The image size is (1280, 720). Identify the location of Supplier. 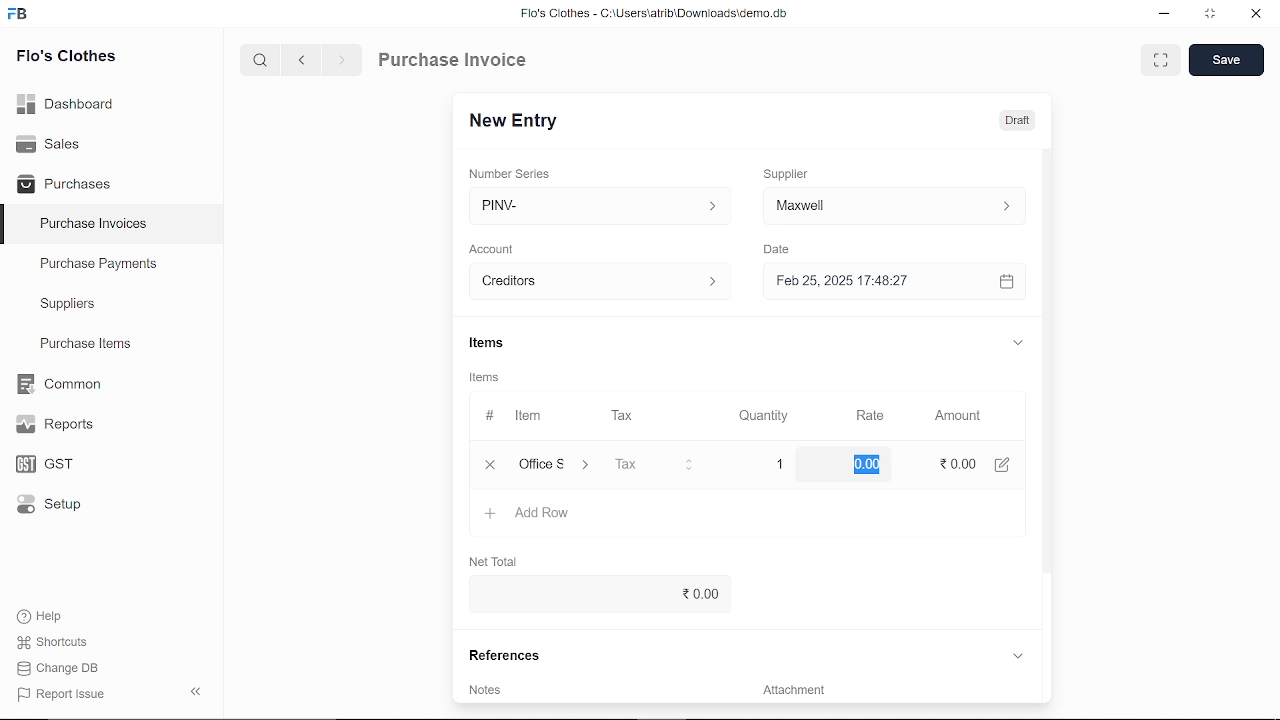
(797, 172).